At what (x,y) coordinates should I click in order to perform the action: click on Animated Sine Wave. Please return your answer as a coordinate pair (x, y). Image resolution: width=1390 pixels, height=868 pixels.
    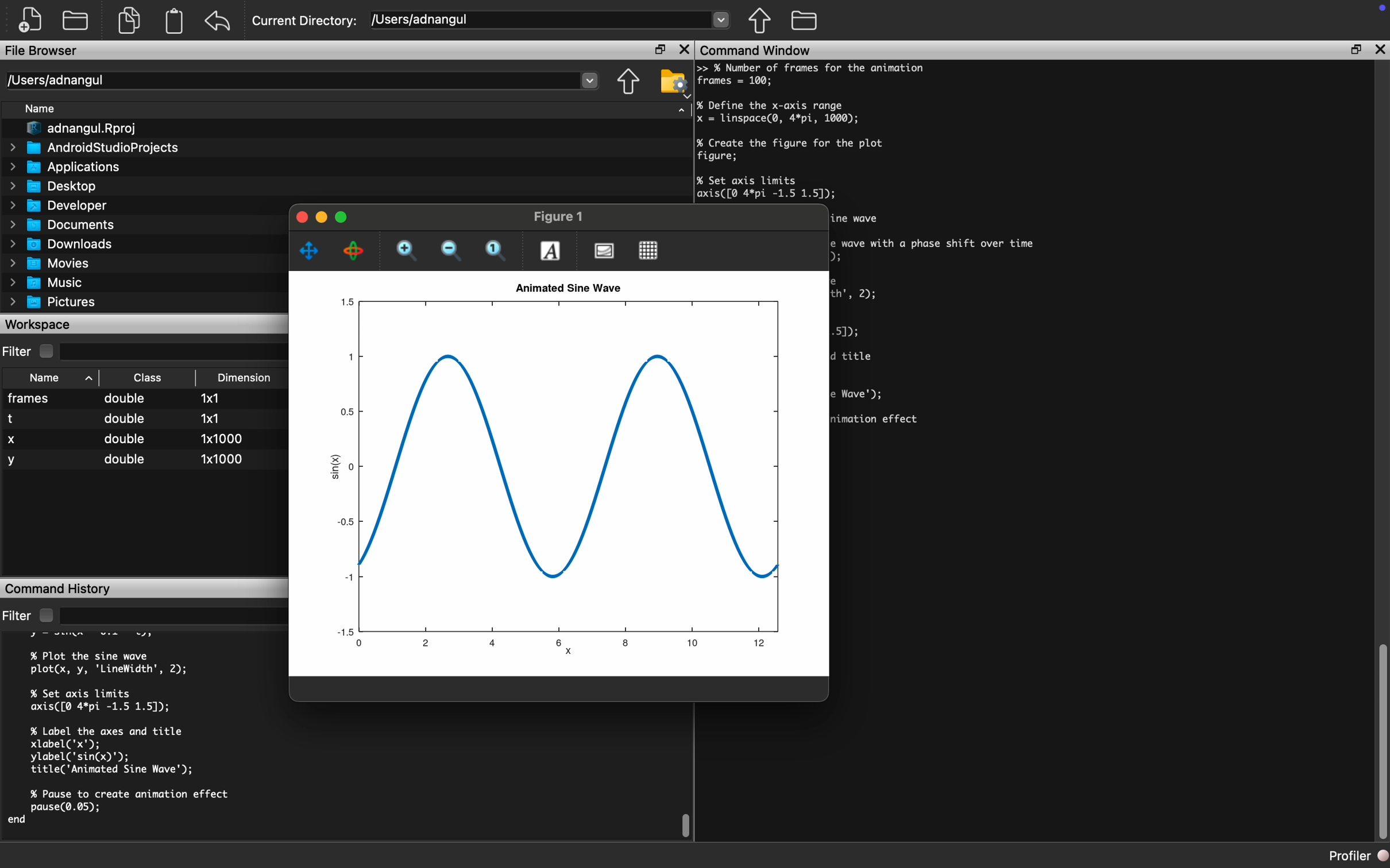
    Looking at the image, I should click on (570, 286).